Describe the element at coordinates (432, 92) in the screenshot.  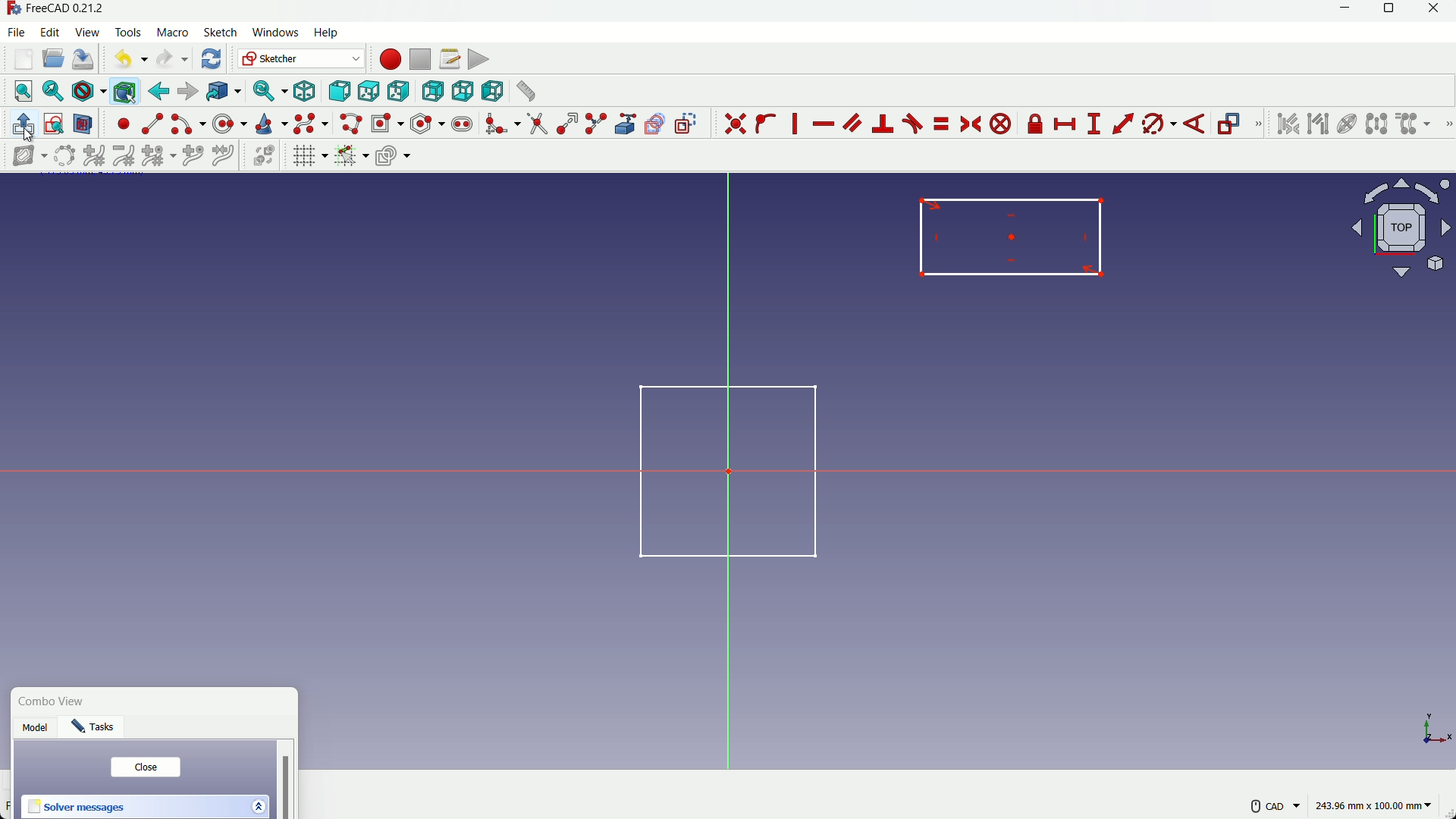
I see `back view` at that location.